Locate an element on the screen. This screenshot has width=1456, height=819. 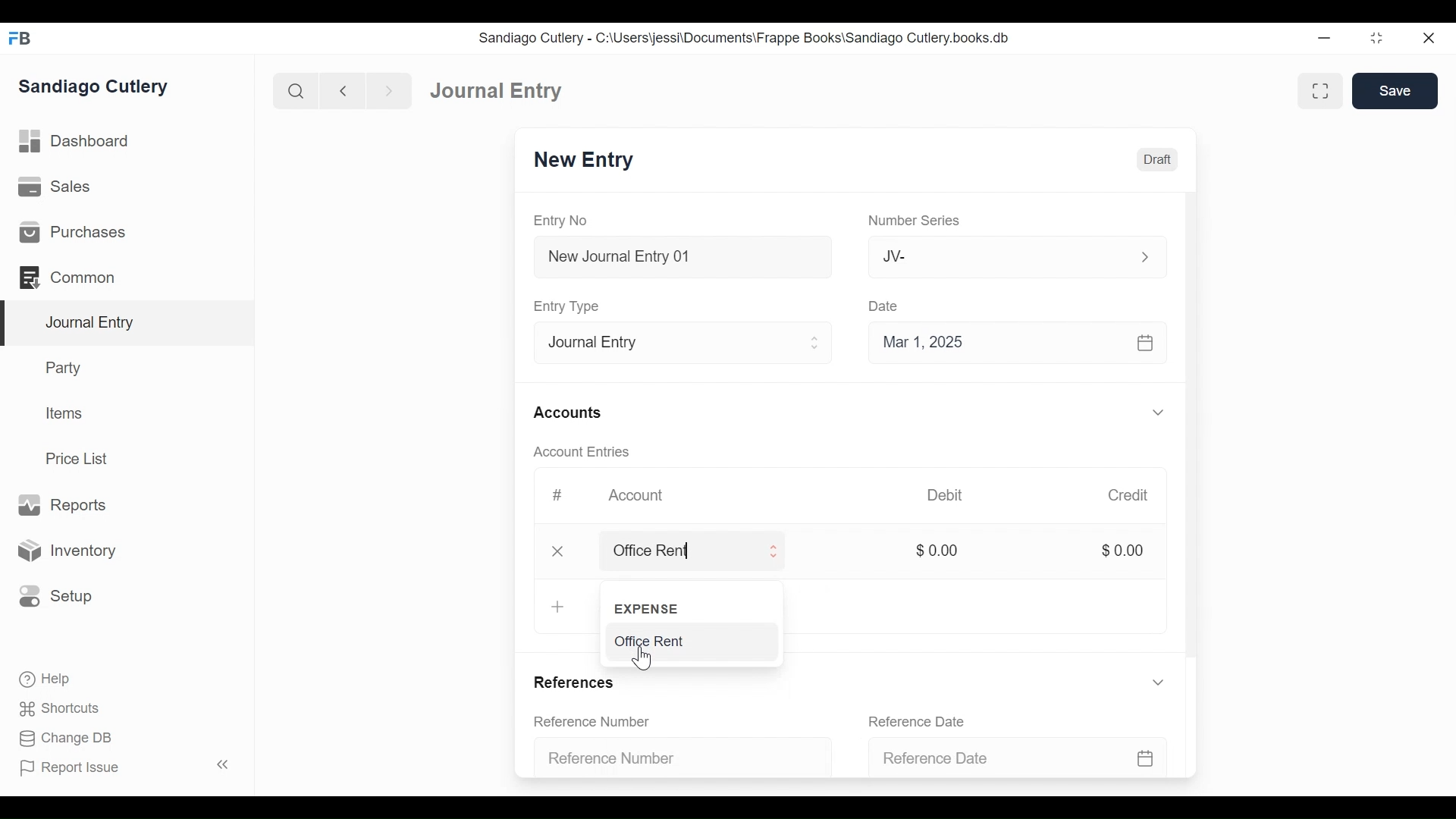
minimize is located at coordinates (1326, 35).